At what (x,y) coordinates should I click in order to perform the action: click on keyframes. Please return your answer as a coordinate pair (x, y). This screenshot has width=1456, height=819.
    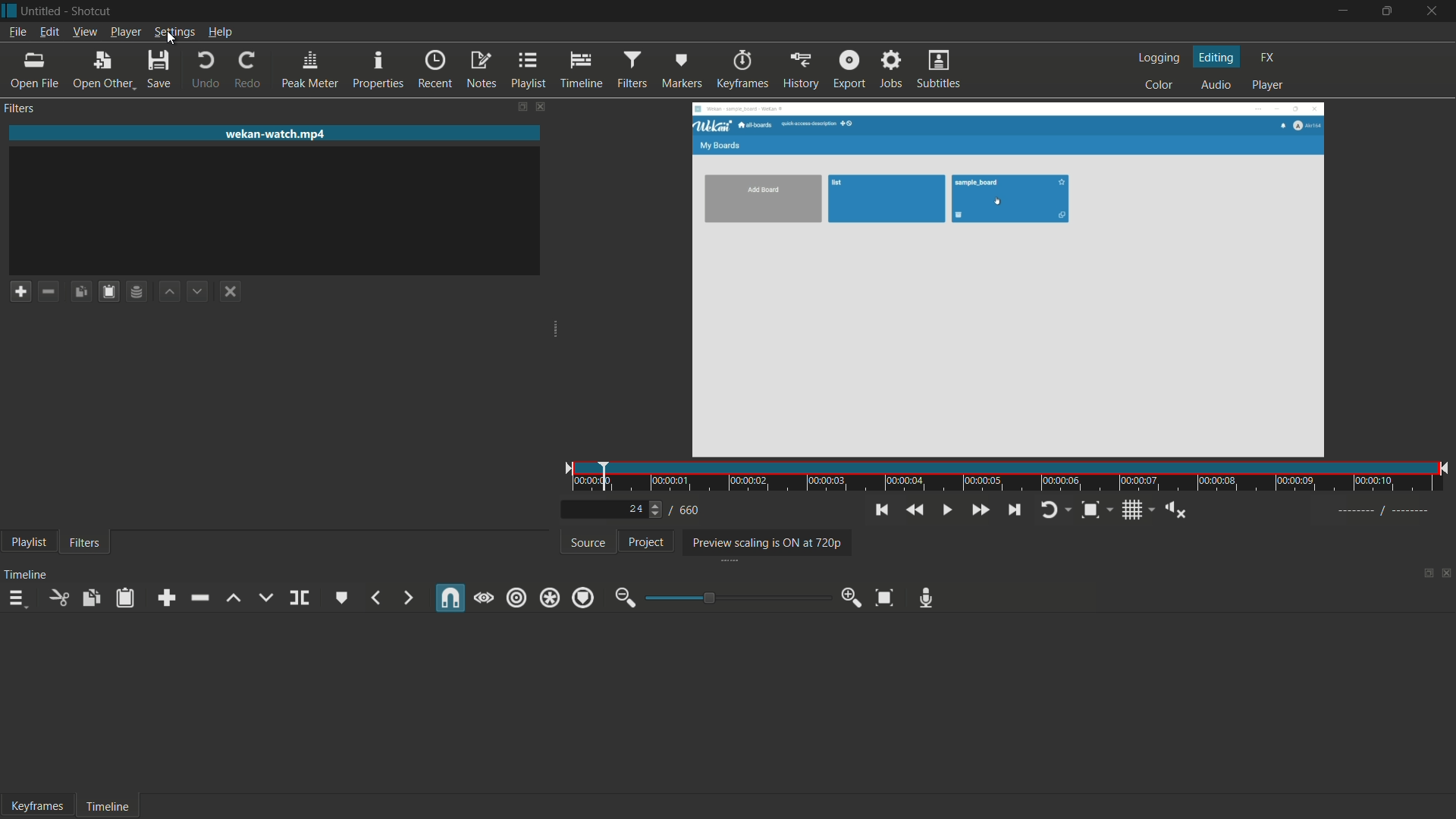
    Looking at the image, I should click on (743, 69).